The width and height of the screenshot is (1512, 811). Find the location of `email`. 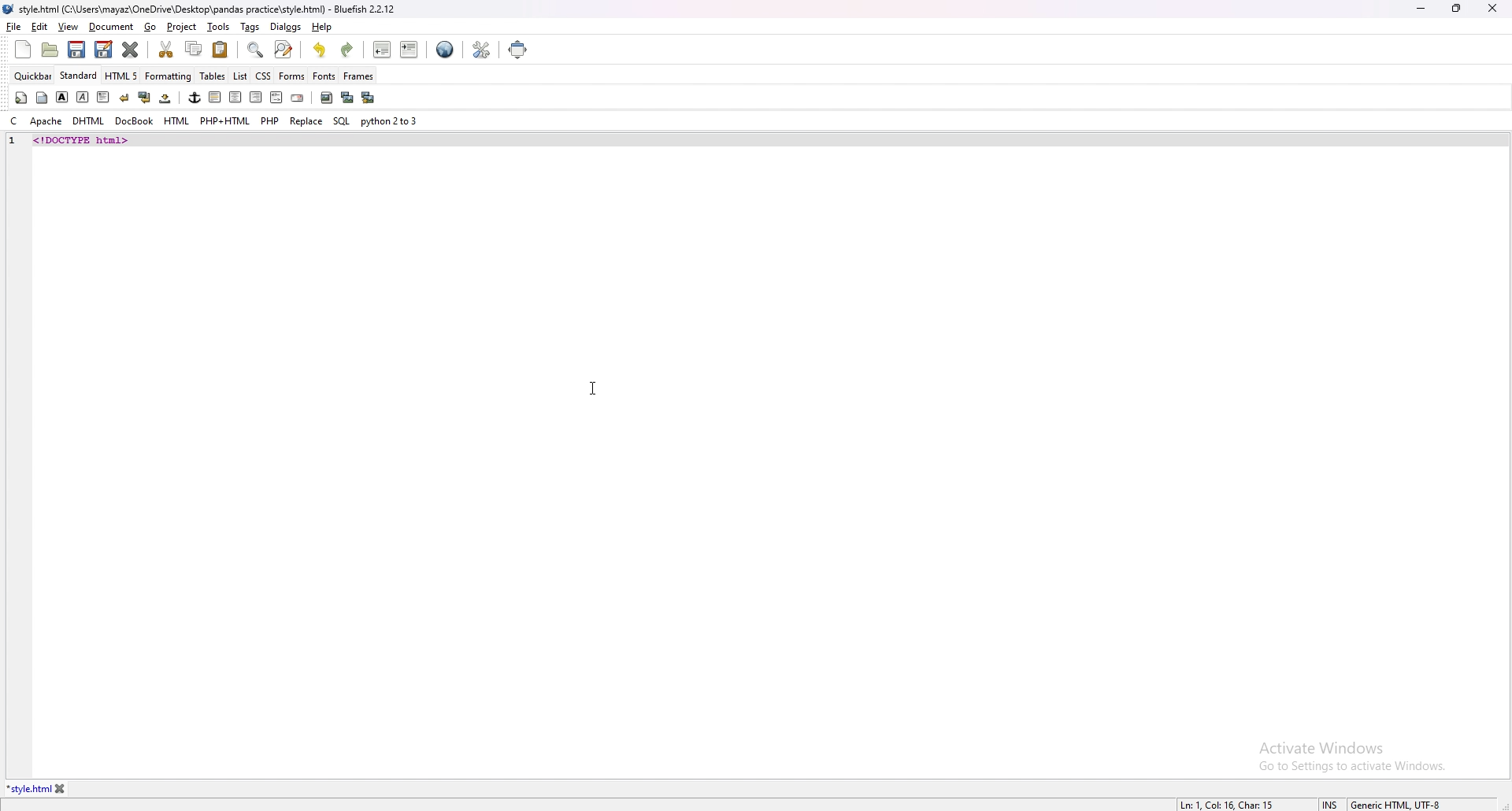

email is located at coordinates (297, 98).